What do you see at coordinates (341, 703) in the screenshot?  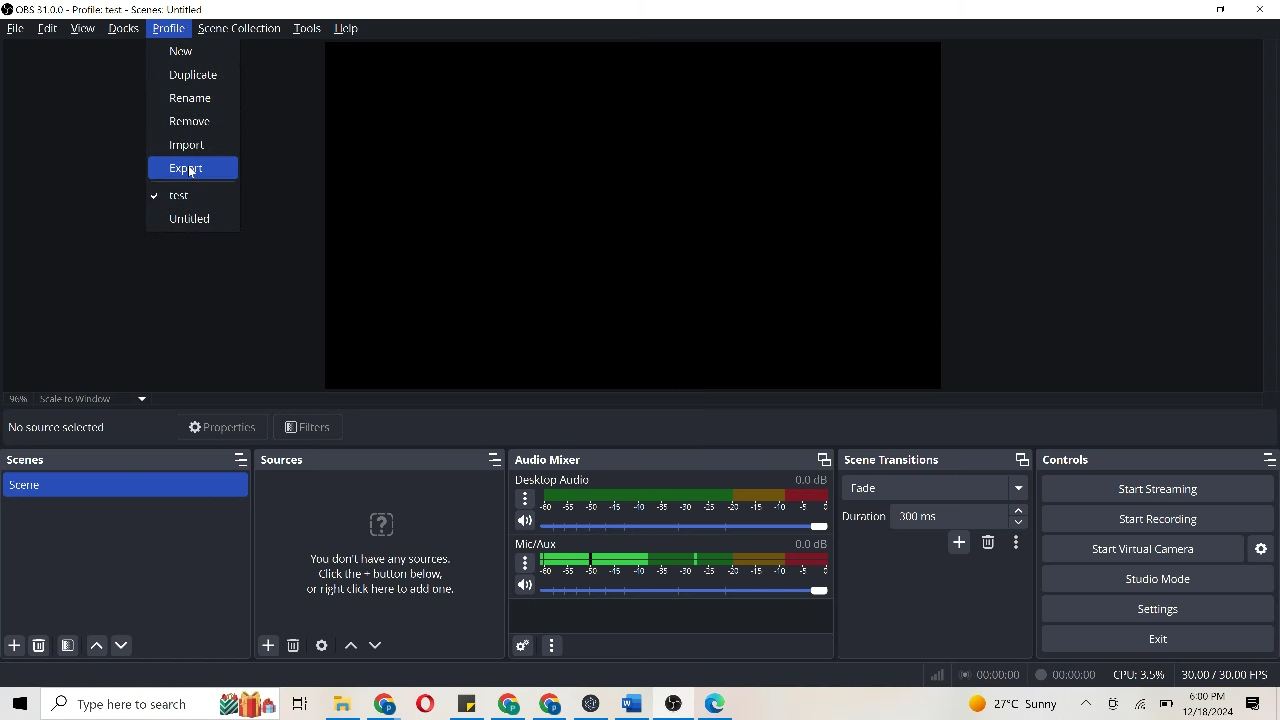 I see `folder` at bounding box center [341, 703].